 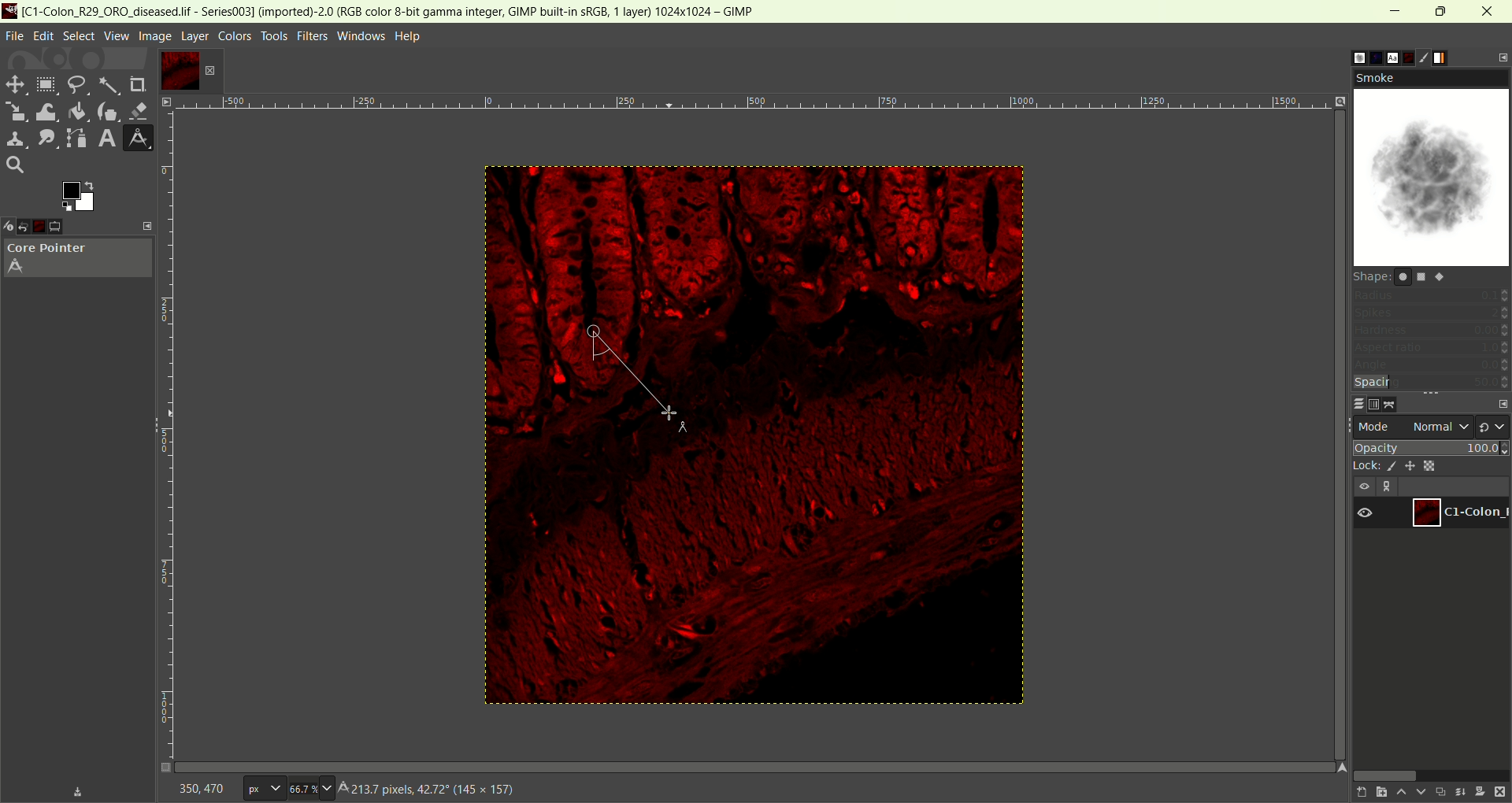 What do you see at coordinates (15, 37) in the screenshot?
I see `file` at bounding box center [15, 37].